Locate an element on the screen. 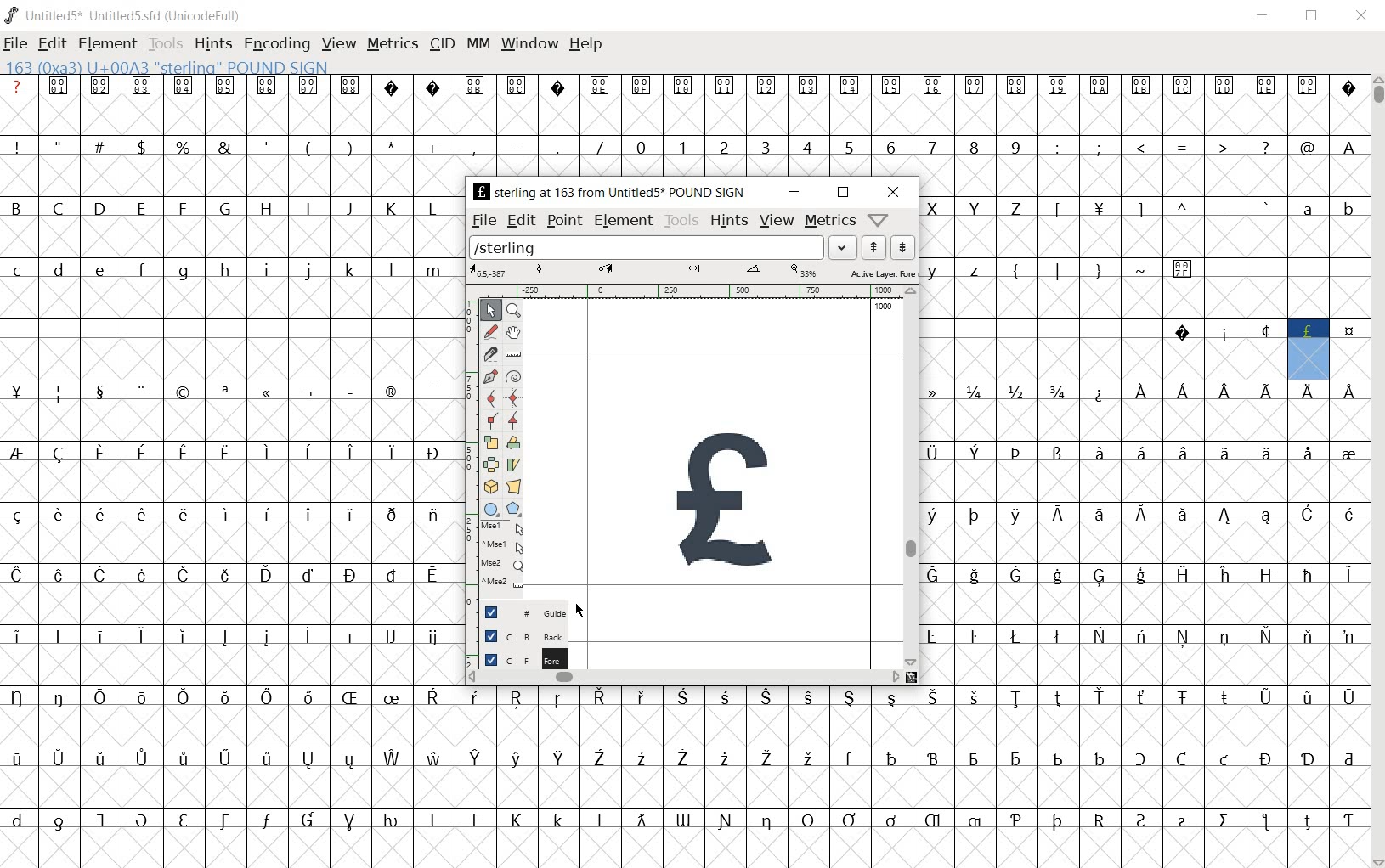 The height and width of the screenshot is (868, 1385). Symbol is located at coordinates (224, 573).